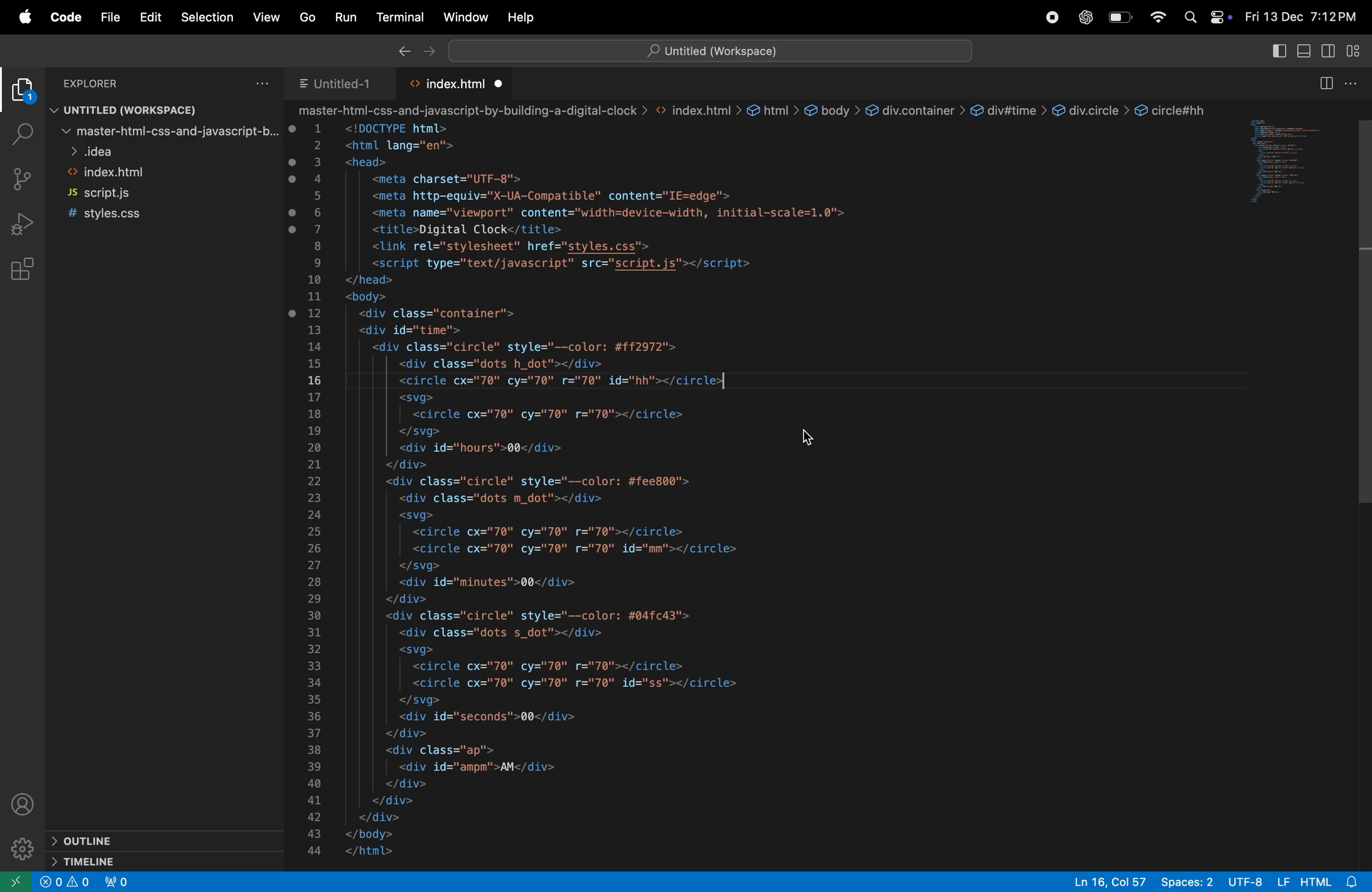 This screenshot has height=892, width=1372. I want to click on battery, so click(1120, 18).